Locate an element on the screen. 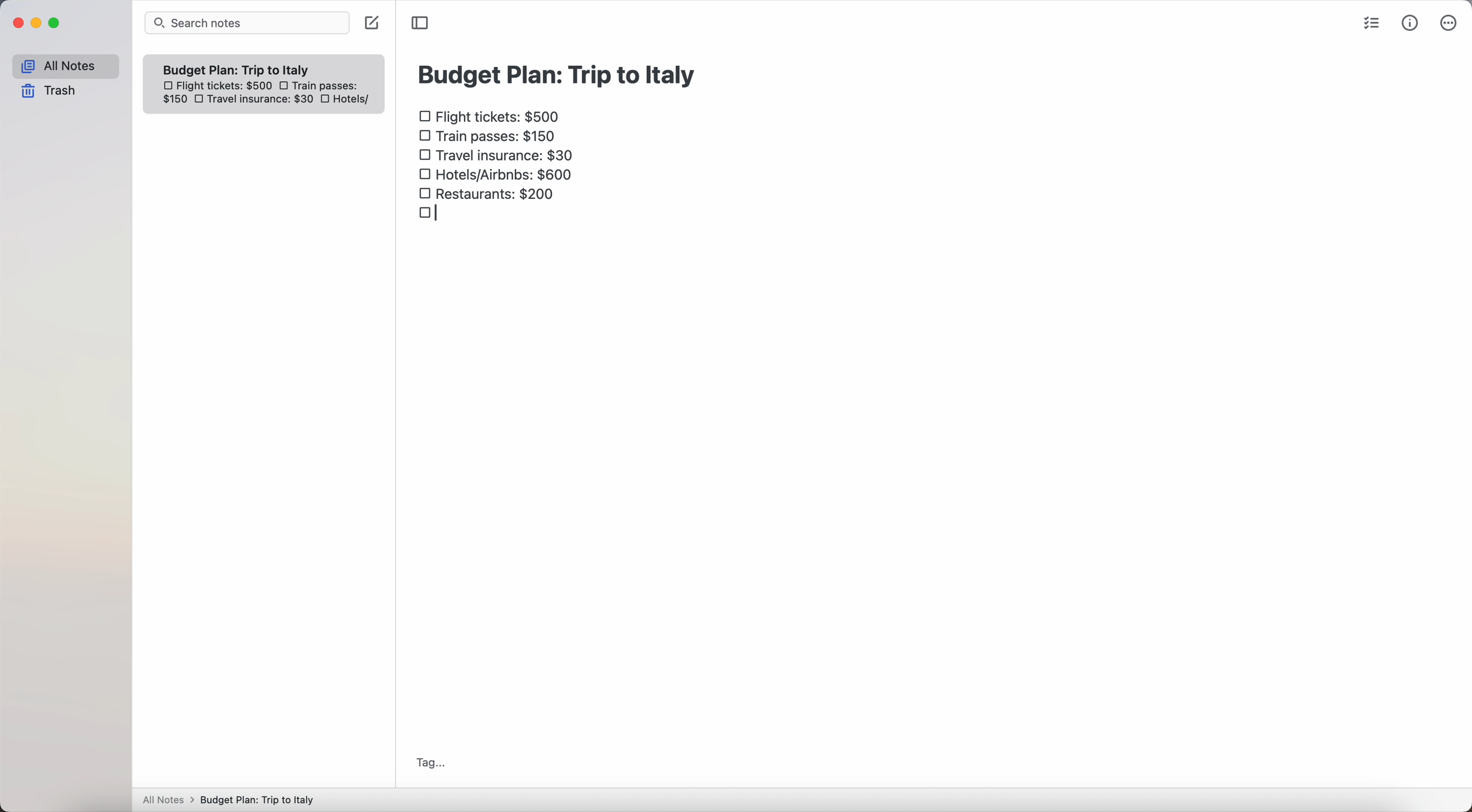 Image resolution: width=1472 pixels, height=812 pixels. hotels is located at coordinates (357, 100).